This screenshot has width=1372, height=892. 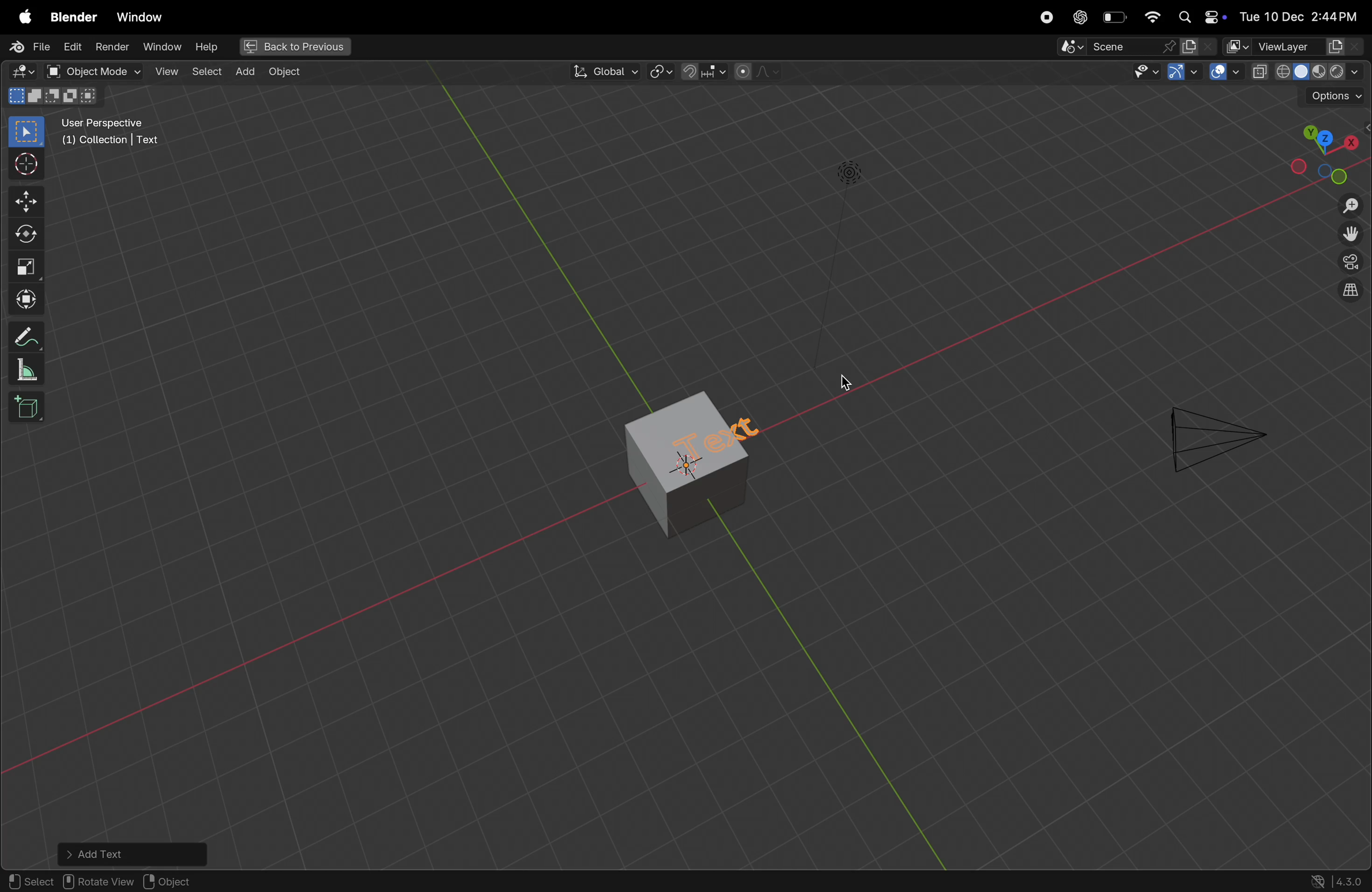 What do you see at coordinates (1077, 17) in the screenshot?
I see `chatgpt` at bounding box center [1077, 17].